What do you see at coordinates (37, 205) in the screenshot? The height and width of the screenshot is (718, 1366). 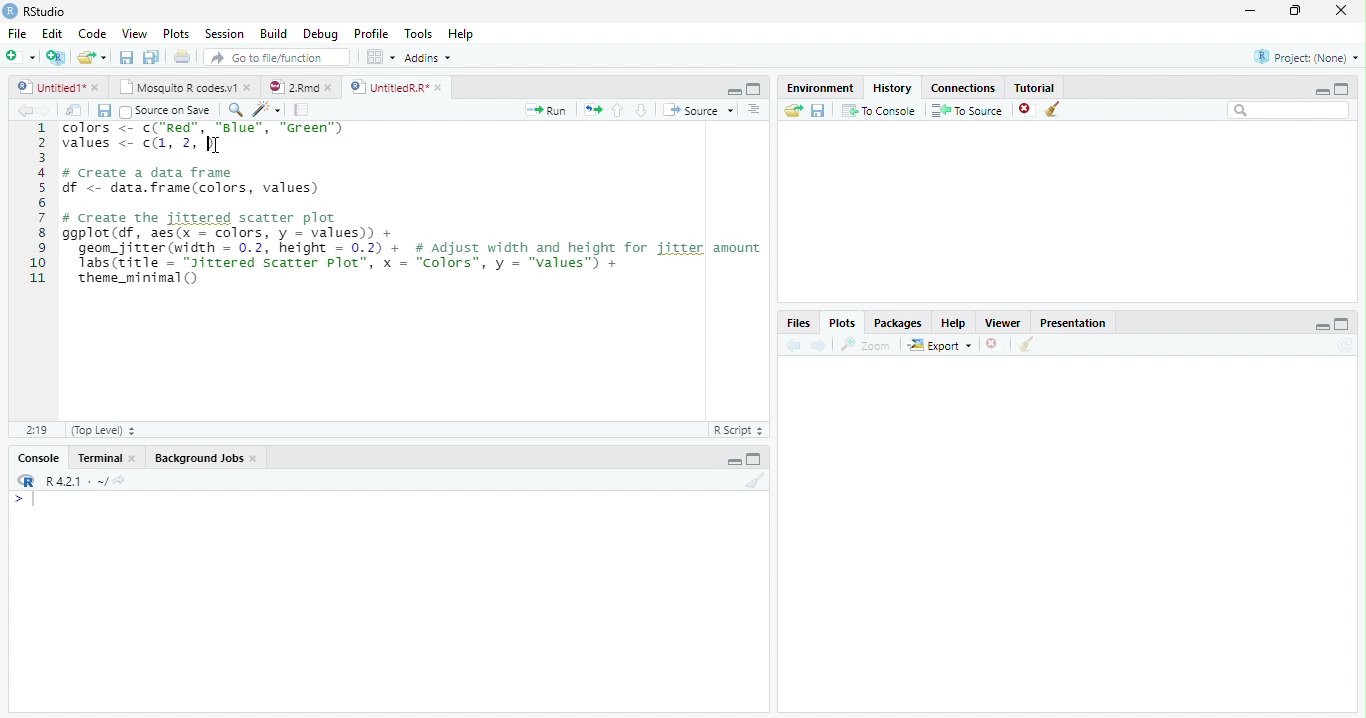 I see `Line numbers` at bounding box center [37, 205].